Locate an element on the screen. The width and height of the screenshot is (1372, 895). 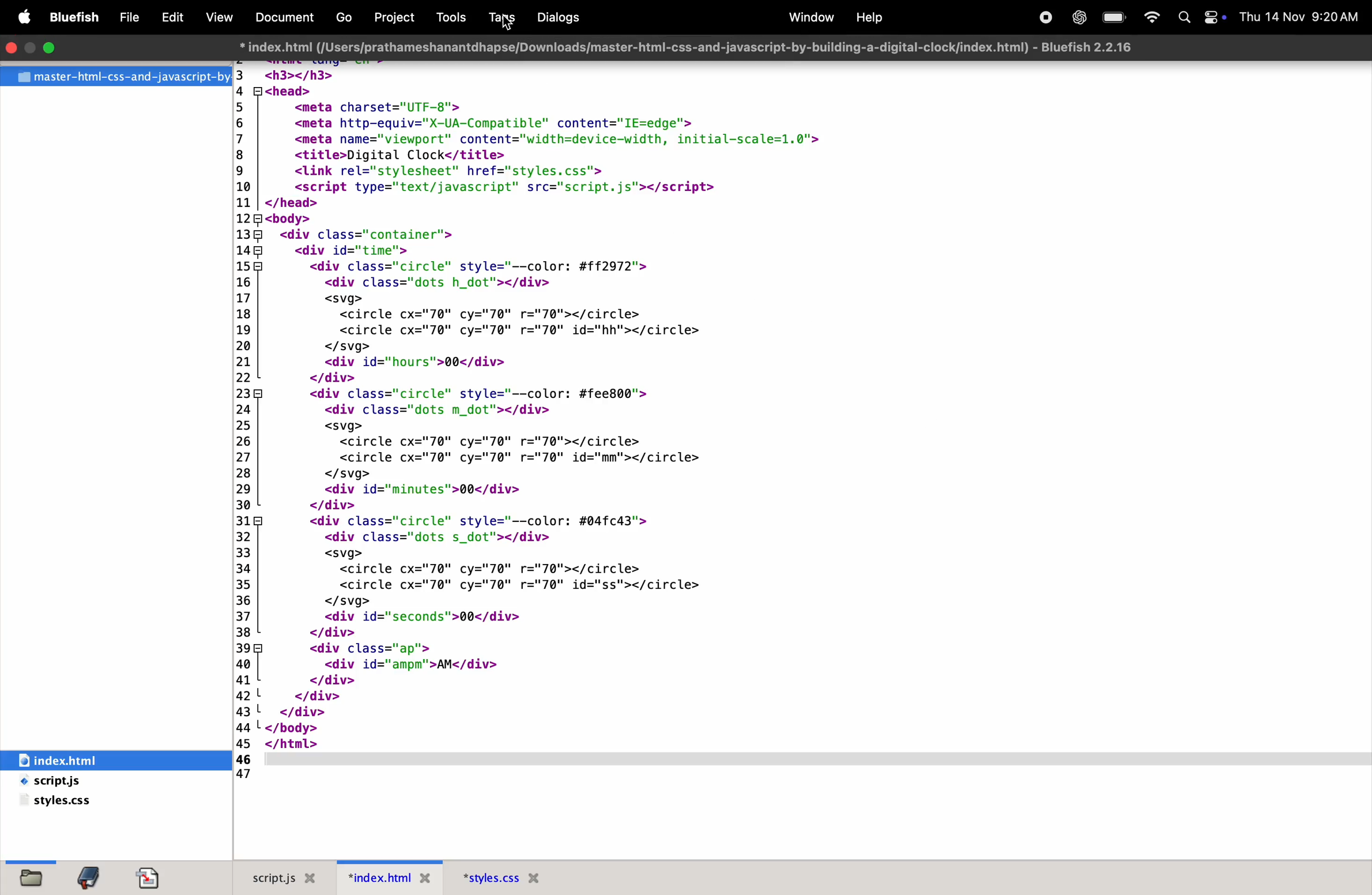
minimize is located at coordinates (54, 48).